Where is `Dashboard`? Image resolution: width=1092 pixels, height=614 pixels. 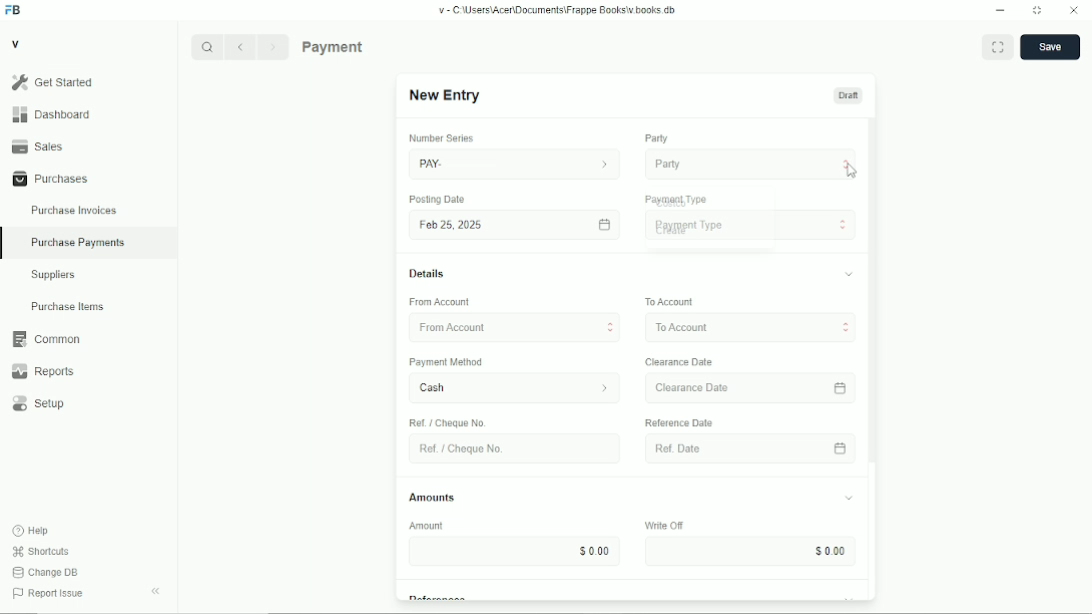 Dashboard is located at coordinates (88, 114).